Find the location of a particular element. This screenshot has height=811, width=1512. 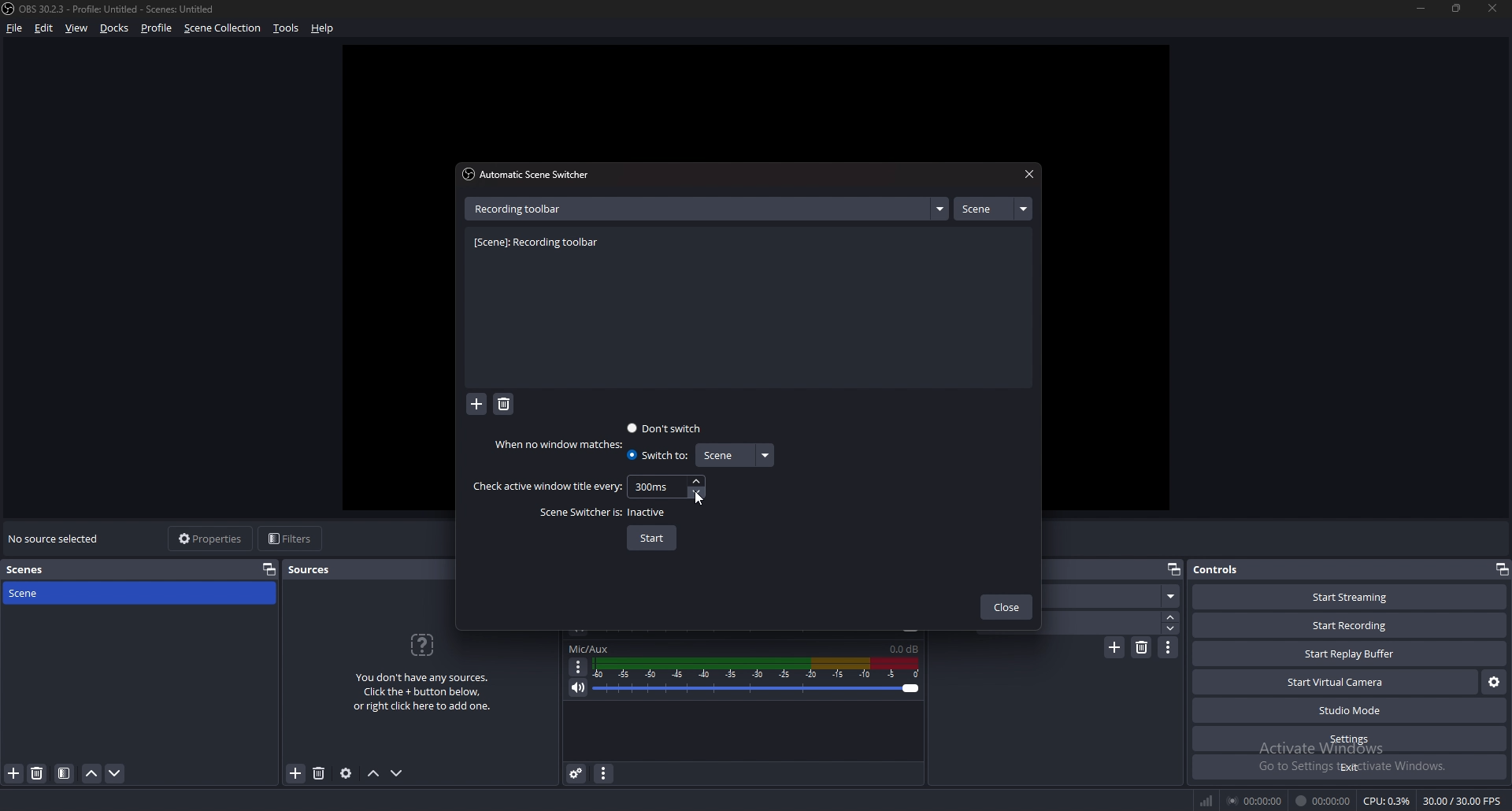

filter is located at coordinates (65, 773).